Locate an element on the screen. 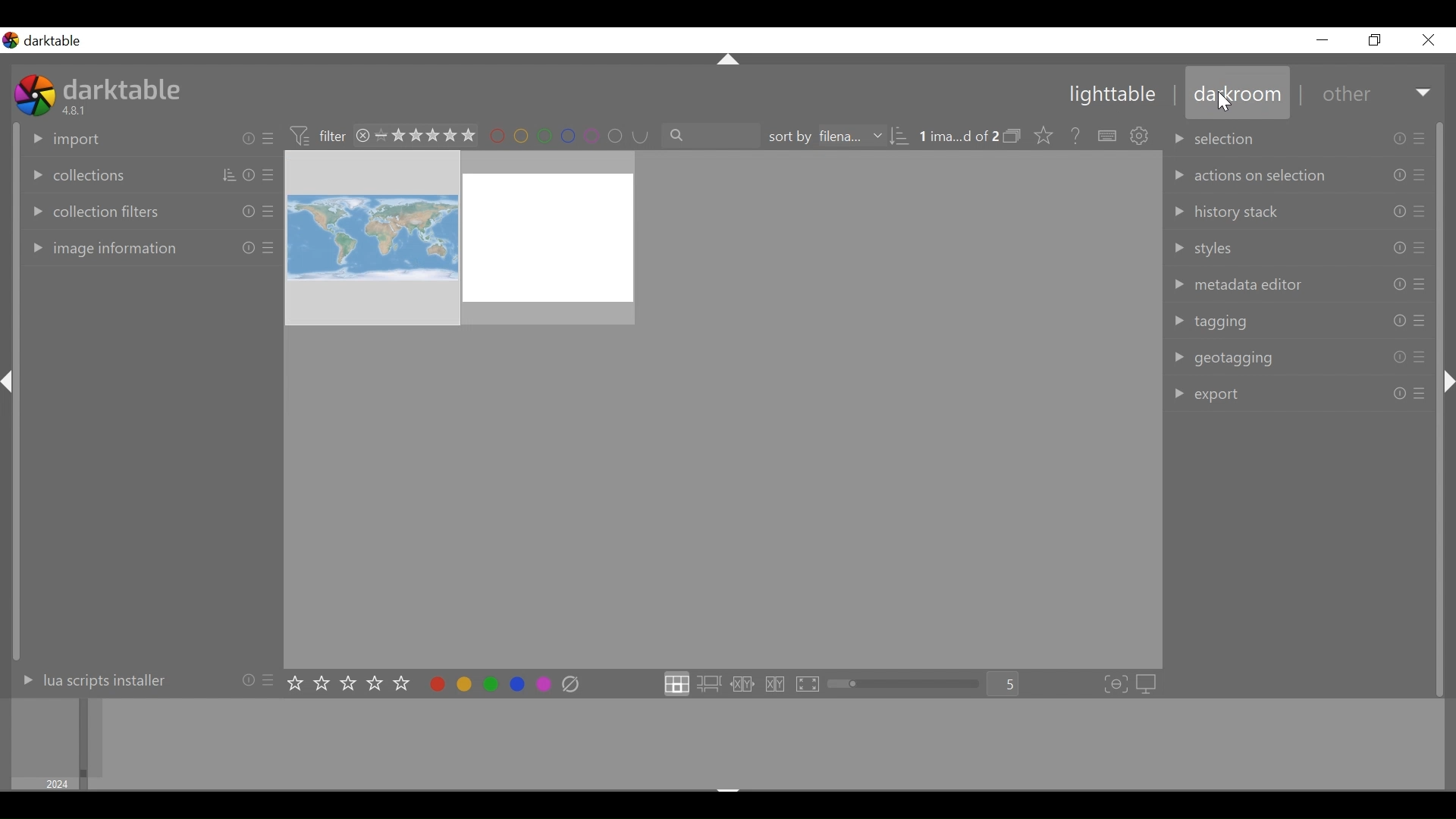 The width and height of the screenshot is (1456, 819). Minimize is located at coordinates (1323, 39).